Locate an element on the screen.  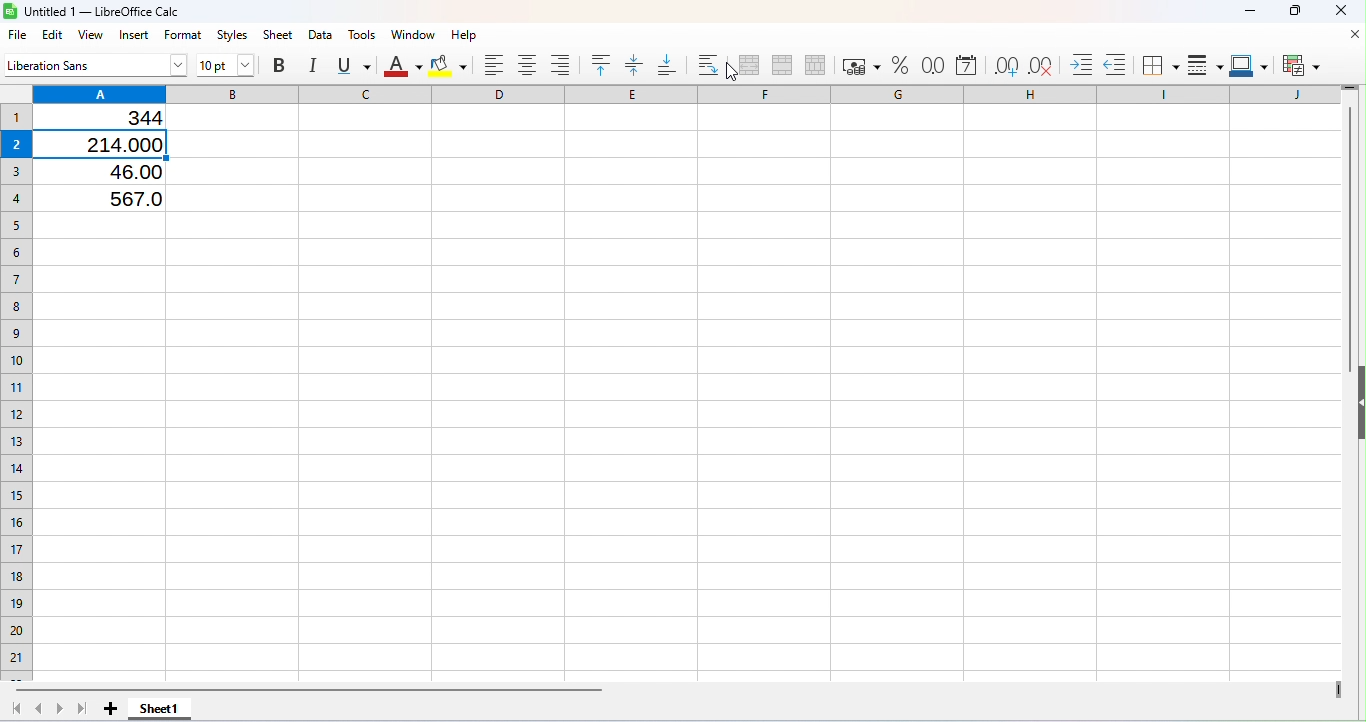
Decrease indent is located at coordinates (1115, 61).